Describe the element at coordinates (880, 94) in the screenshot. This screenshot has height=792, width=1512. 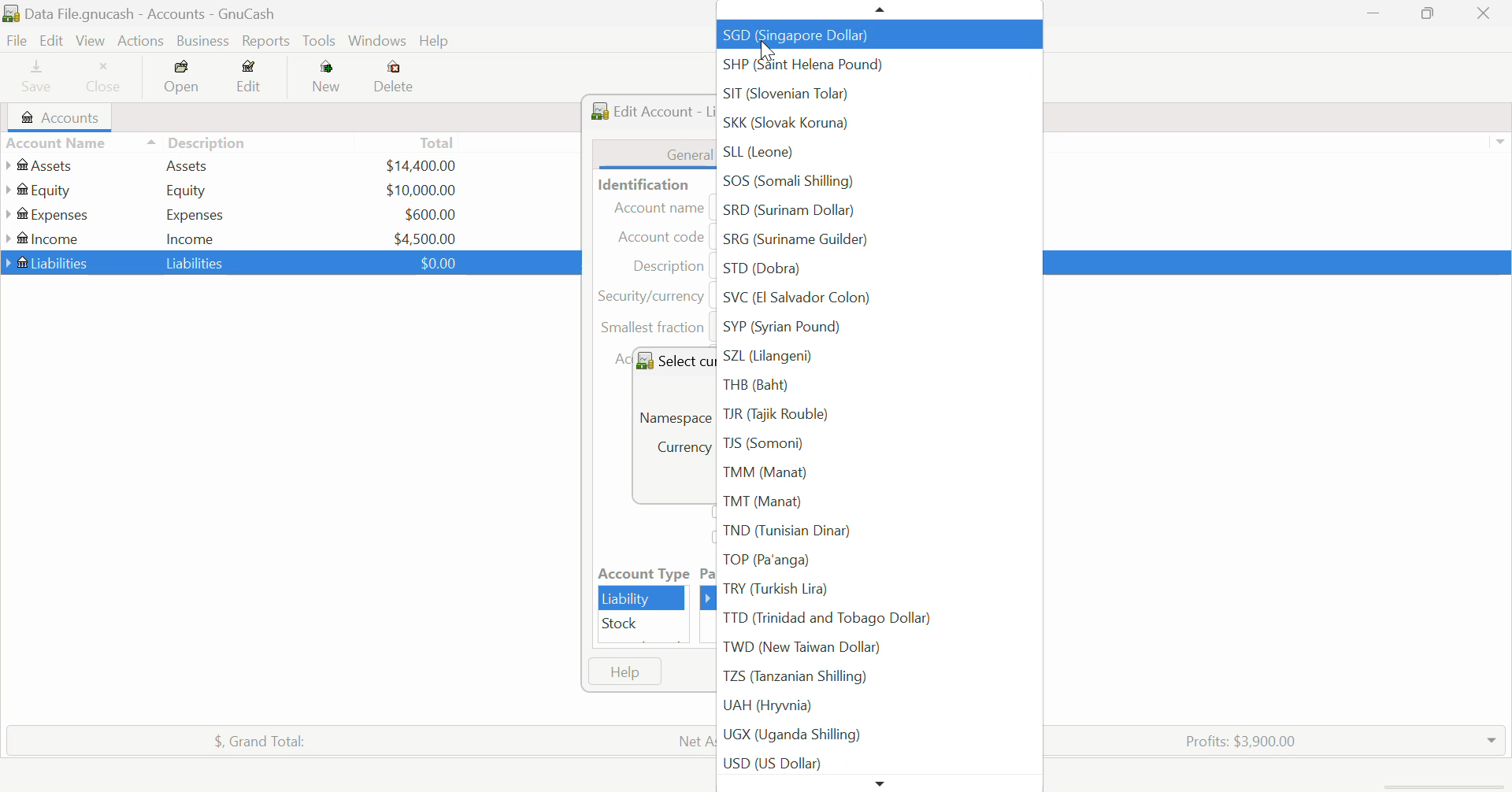
I see `SIT` at that location.